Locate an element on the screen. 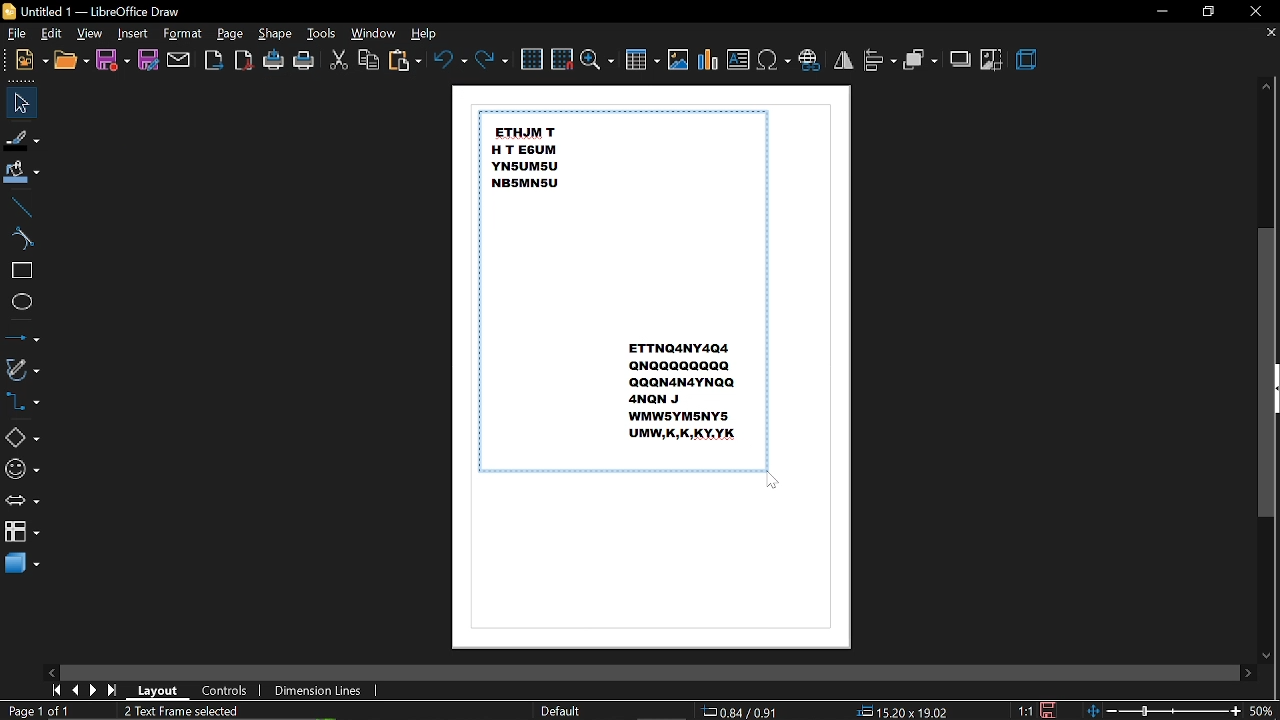  3d effect is located at coordinates (1029, 61).